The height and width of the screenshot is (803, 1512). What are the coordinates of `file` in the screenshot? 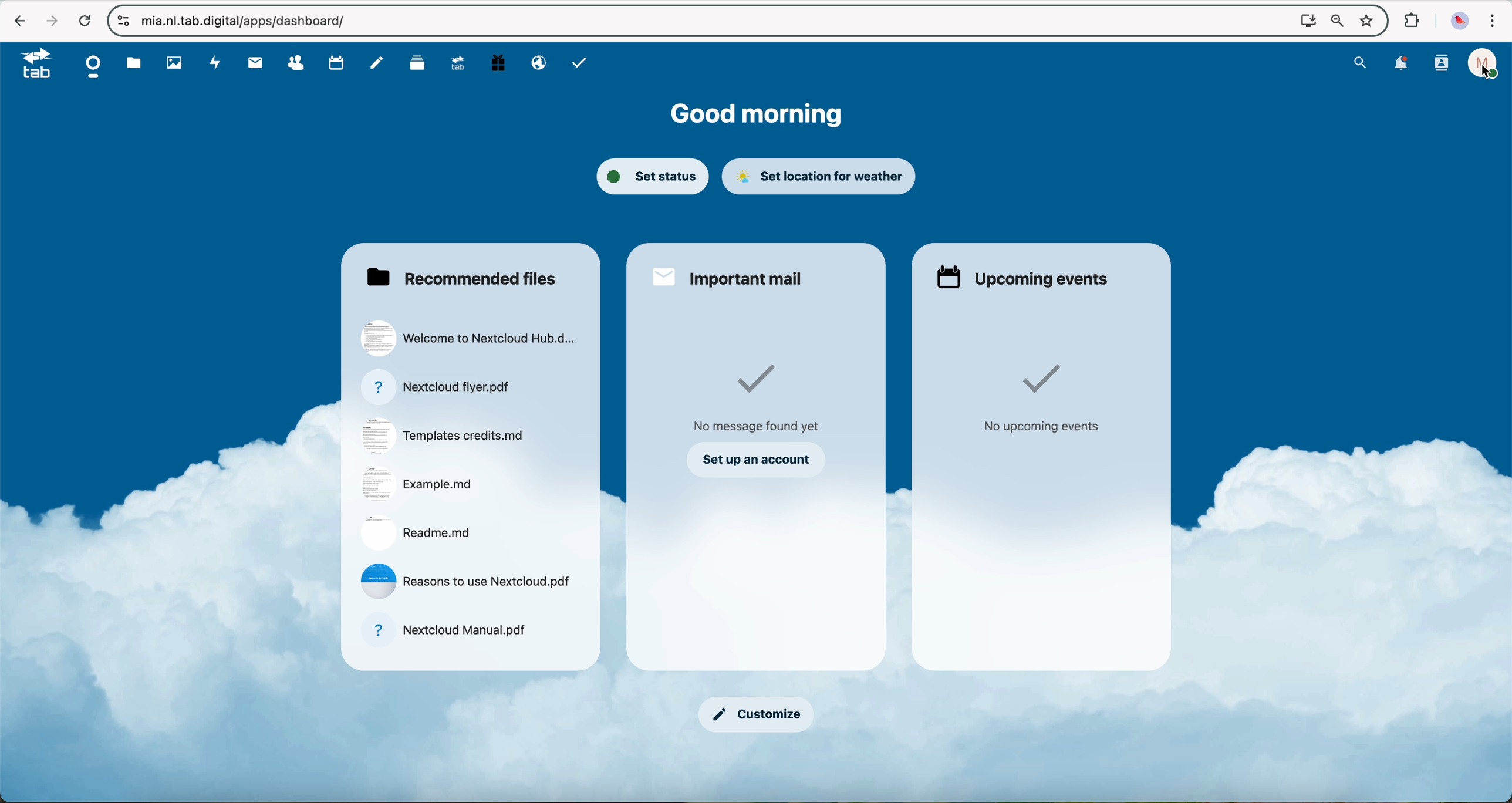 It's located at (468, 581).